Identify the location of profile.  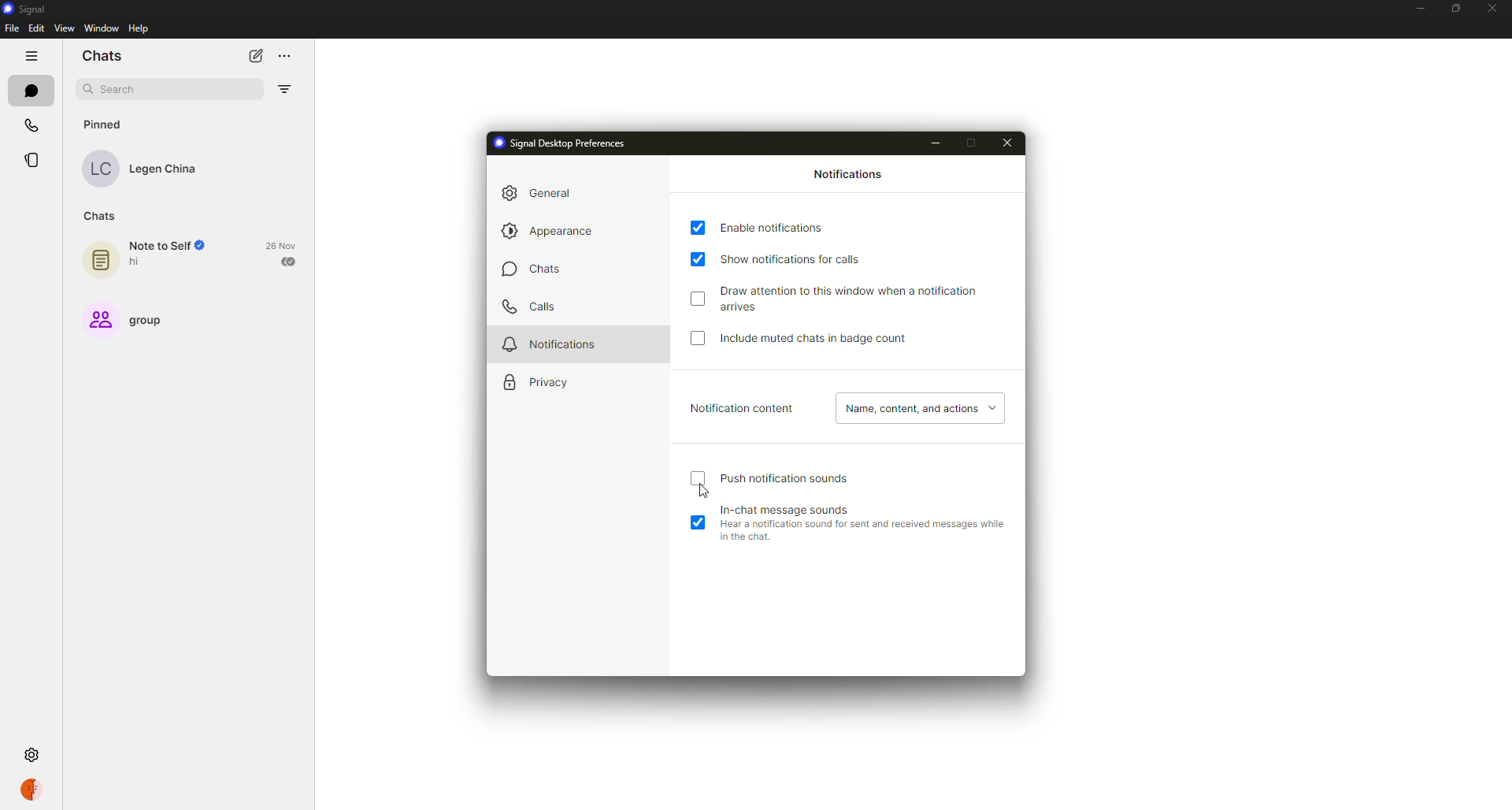
(35, 791).